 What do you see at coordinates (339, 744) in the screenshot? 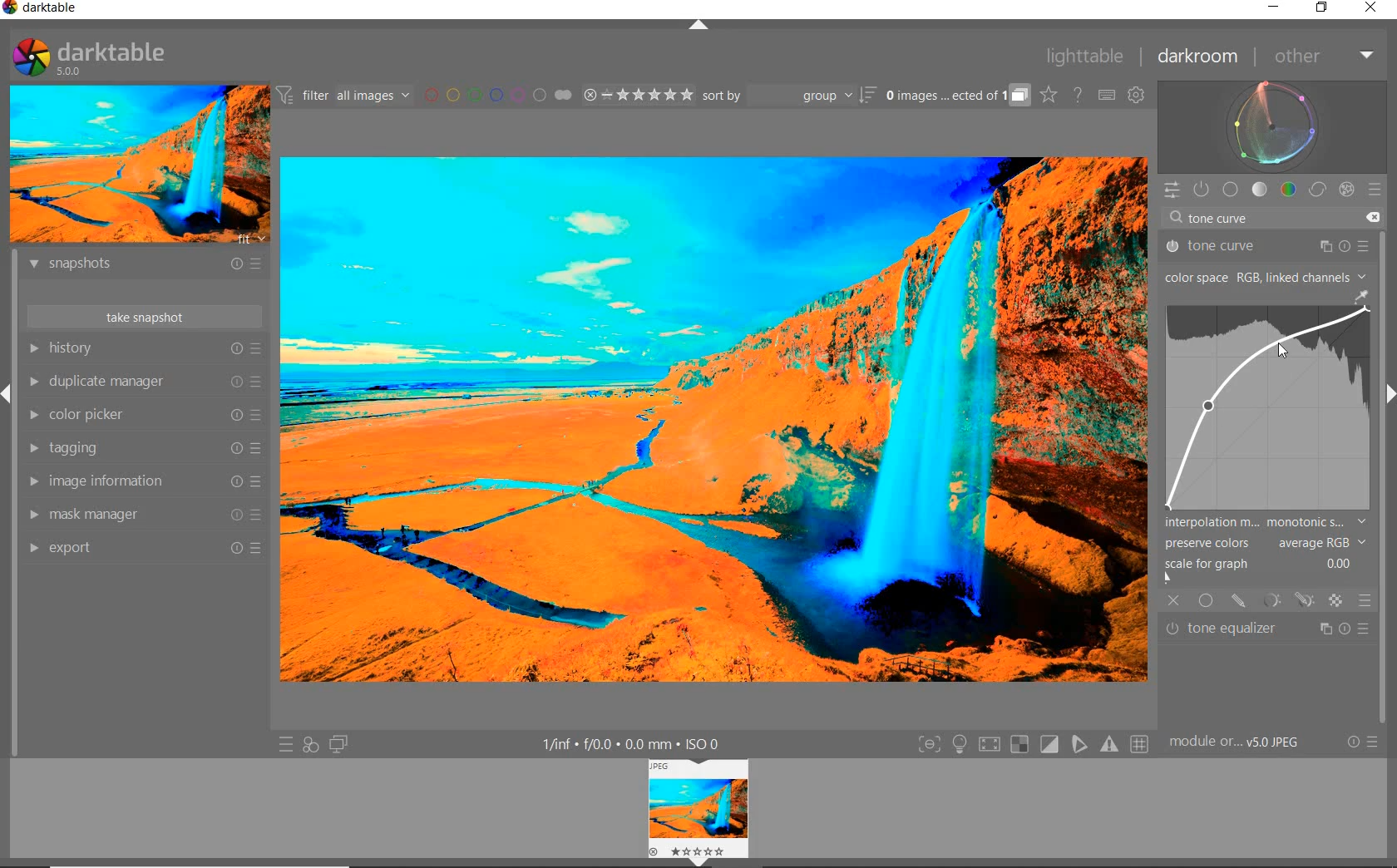
I see `DISPLAY A SECOND DARKROOM IMAGE WINDOW` at bounding box center [339, 744].